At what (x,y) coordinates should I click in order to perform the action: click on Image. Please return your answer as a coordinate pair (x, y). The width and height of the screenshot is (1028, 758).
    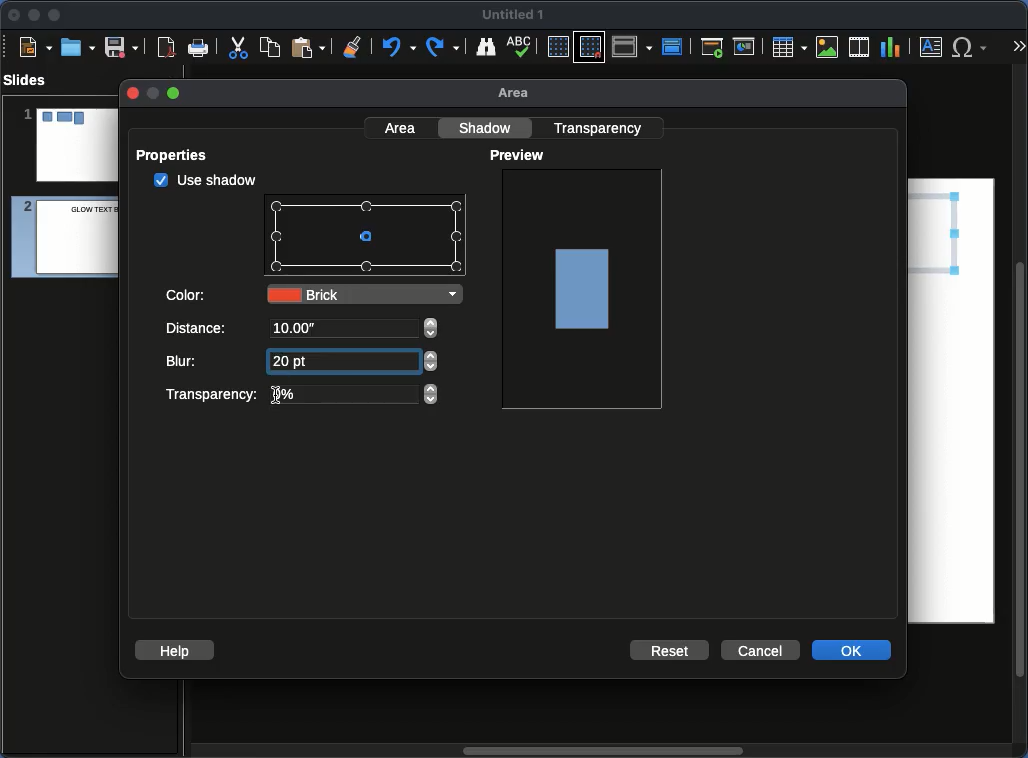
    Looking at the image, I should click on (584, 287).